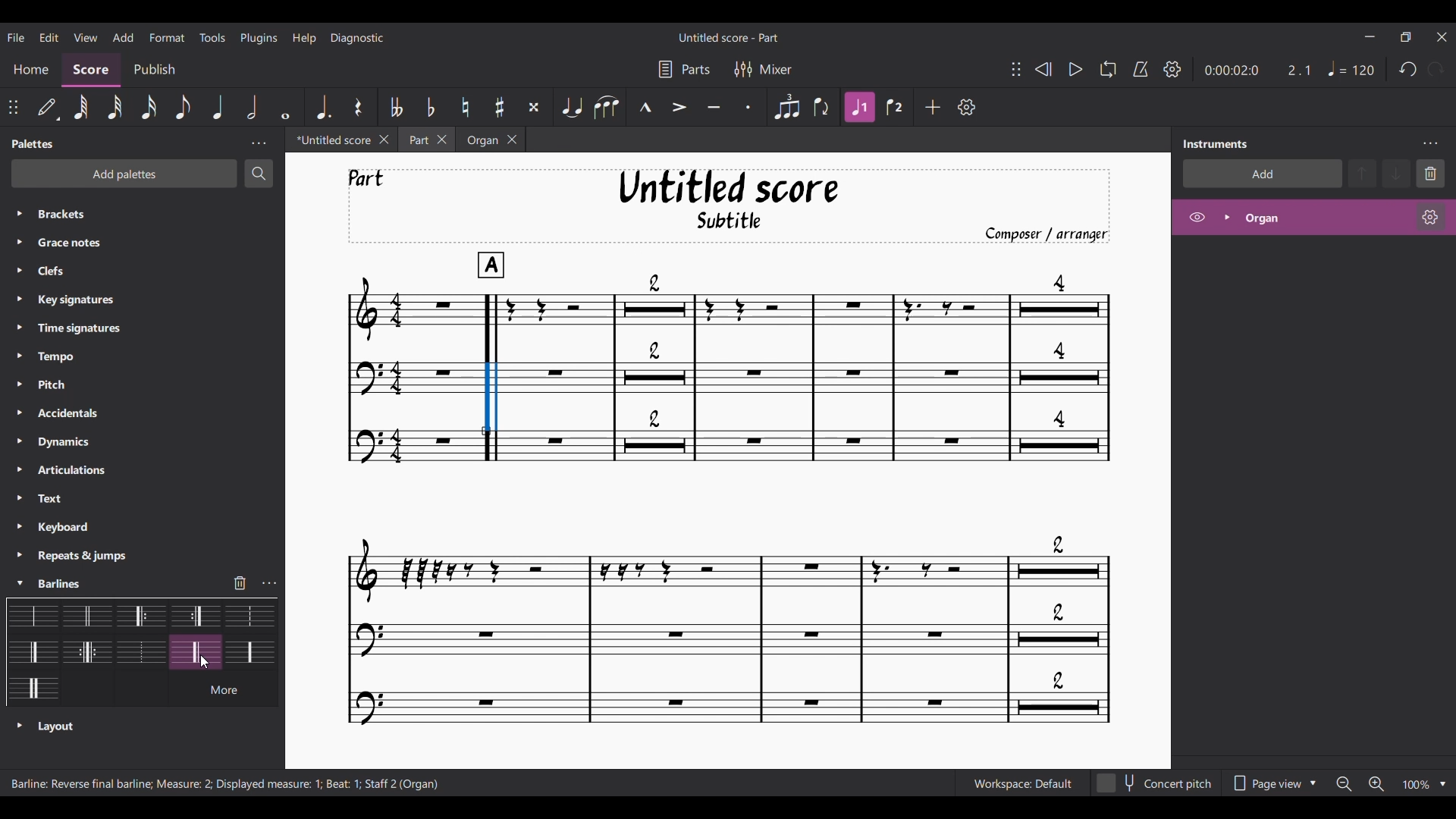  Describe the element at coordinates (763, 70) in the screenshot. I see `Mixer settings` at that location.